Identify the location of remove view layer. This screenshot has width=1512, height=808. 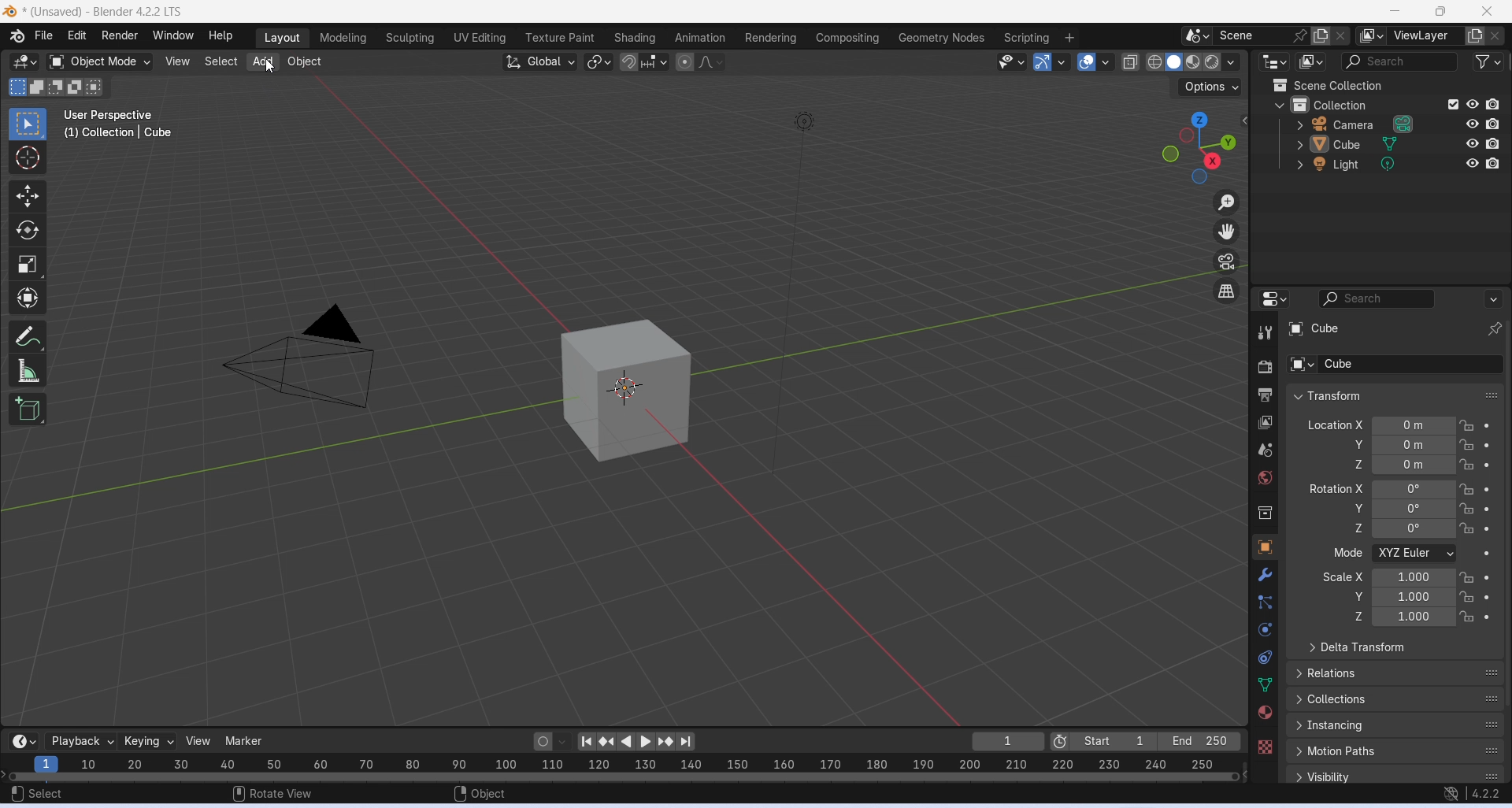
(1496, 36).